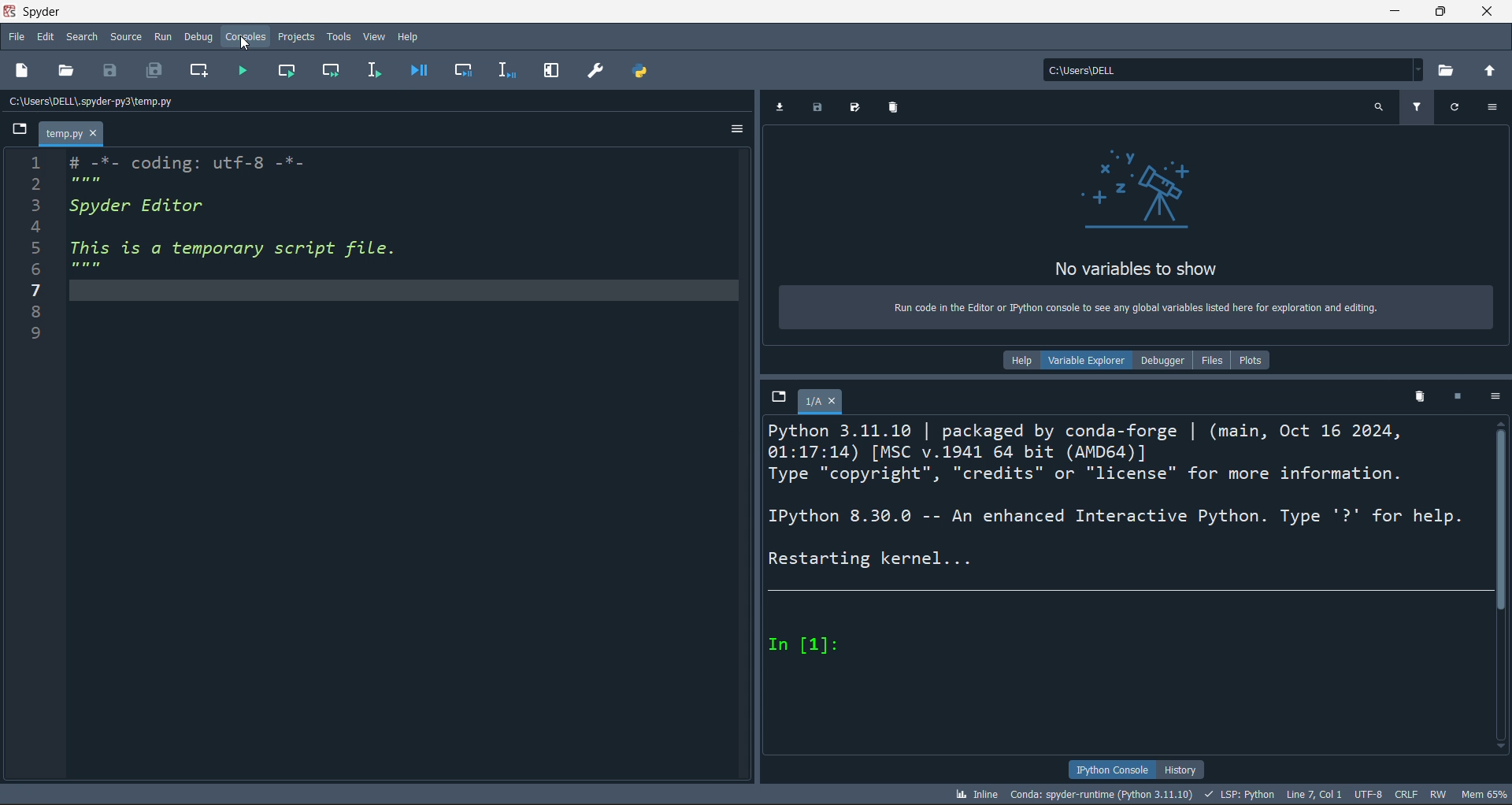 This screenshot has height=805, width=1512. What do you see at coordinates (1137, 270) in the screenshot?
I see `No variables to show` at bounding box center [1137, 270].